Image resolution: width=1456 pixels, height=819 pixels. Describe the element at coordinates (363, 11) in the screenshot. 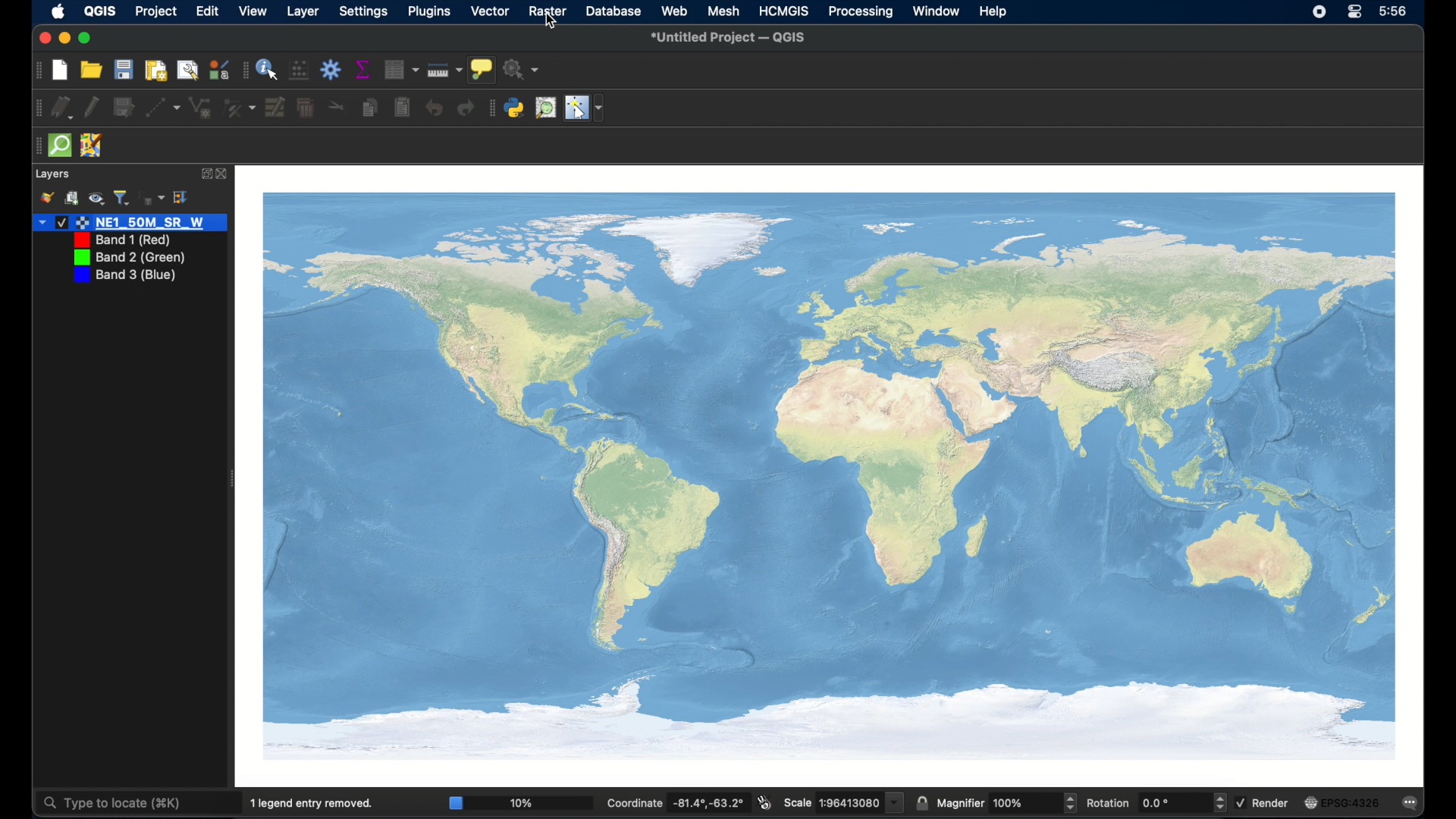

I see `settings` at that location.